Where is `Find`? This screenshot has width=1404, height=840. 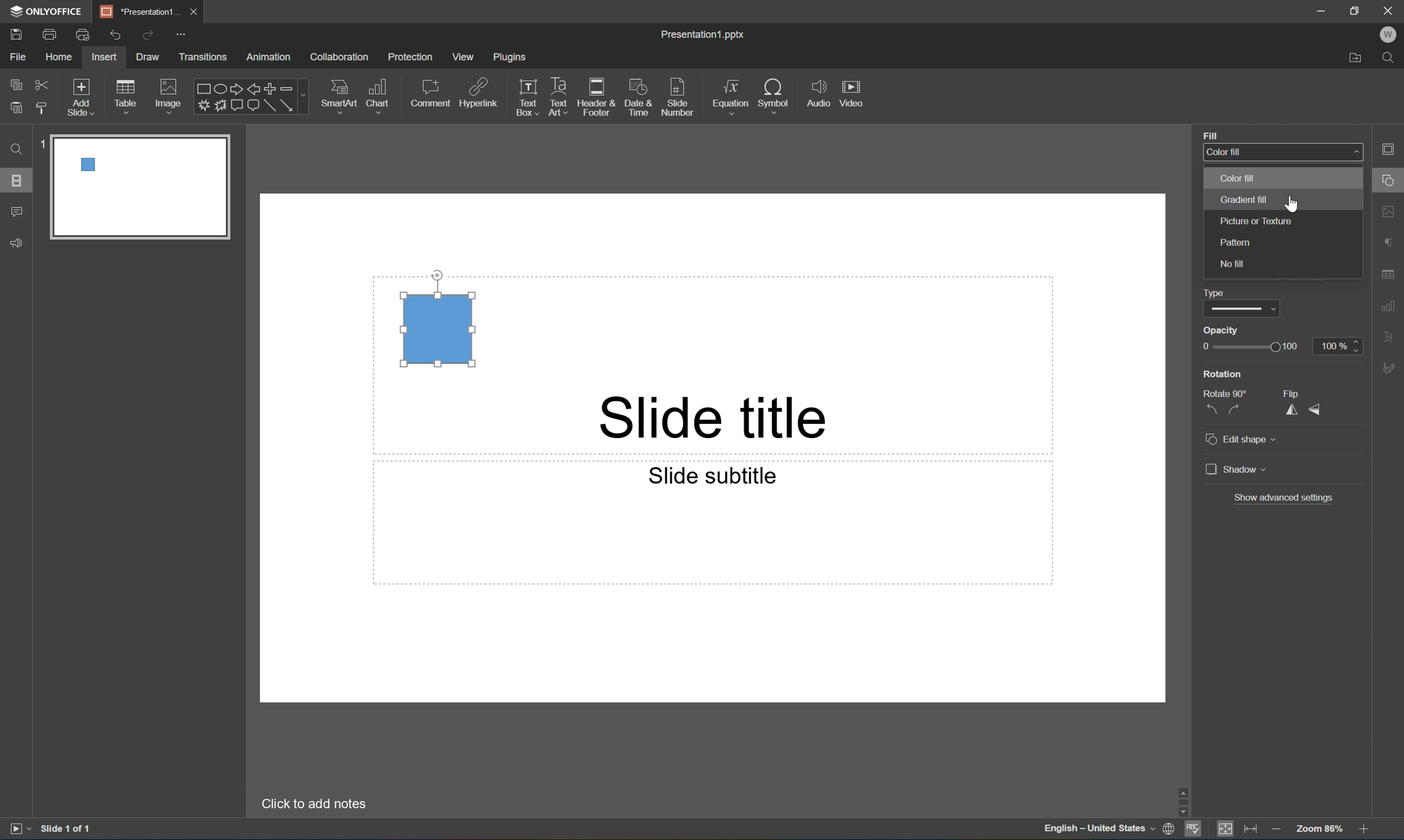 Find is located at coordinates (1391, 59).